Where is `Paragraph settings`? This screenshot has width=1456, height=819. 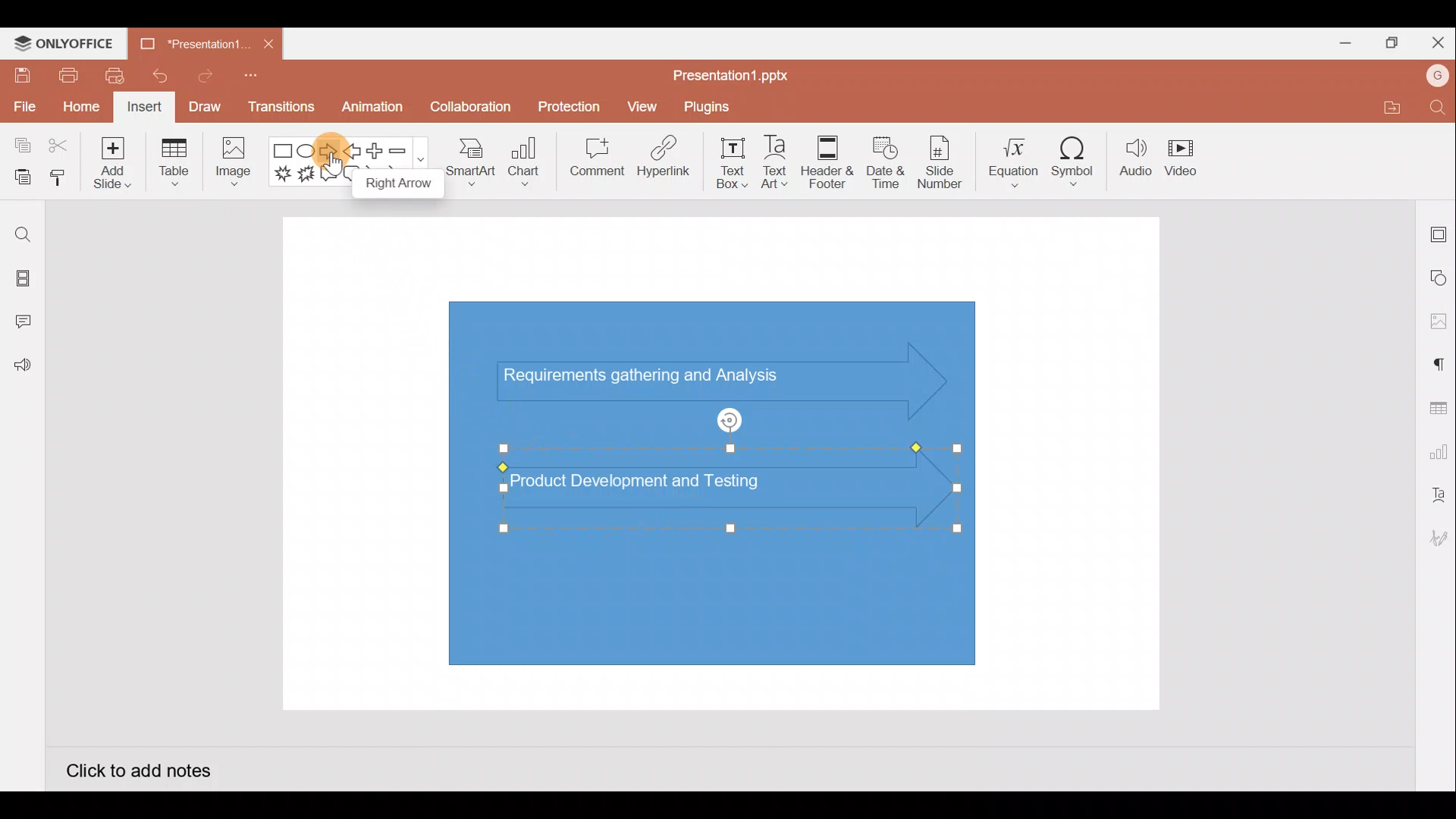 Paragraph settings is located at coordinates (1438, 362).